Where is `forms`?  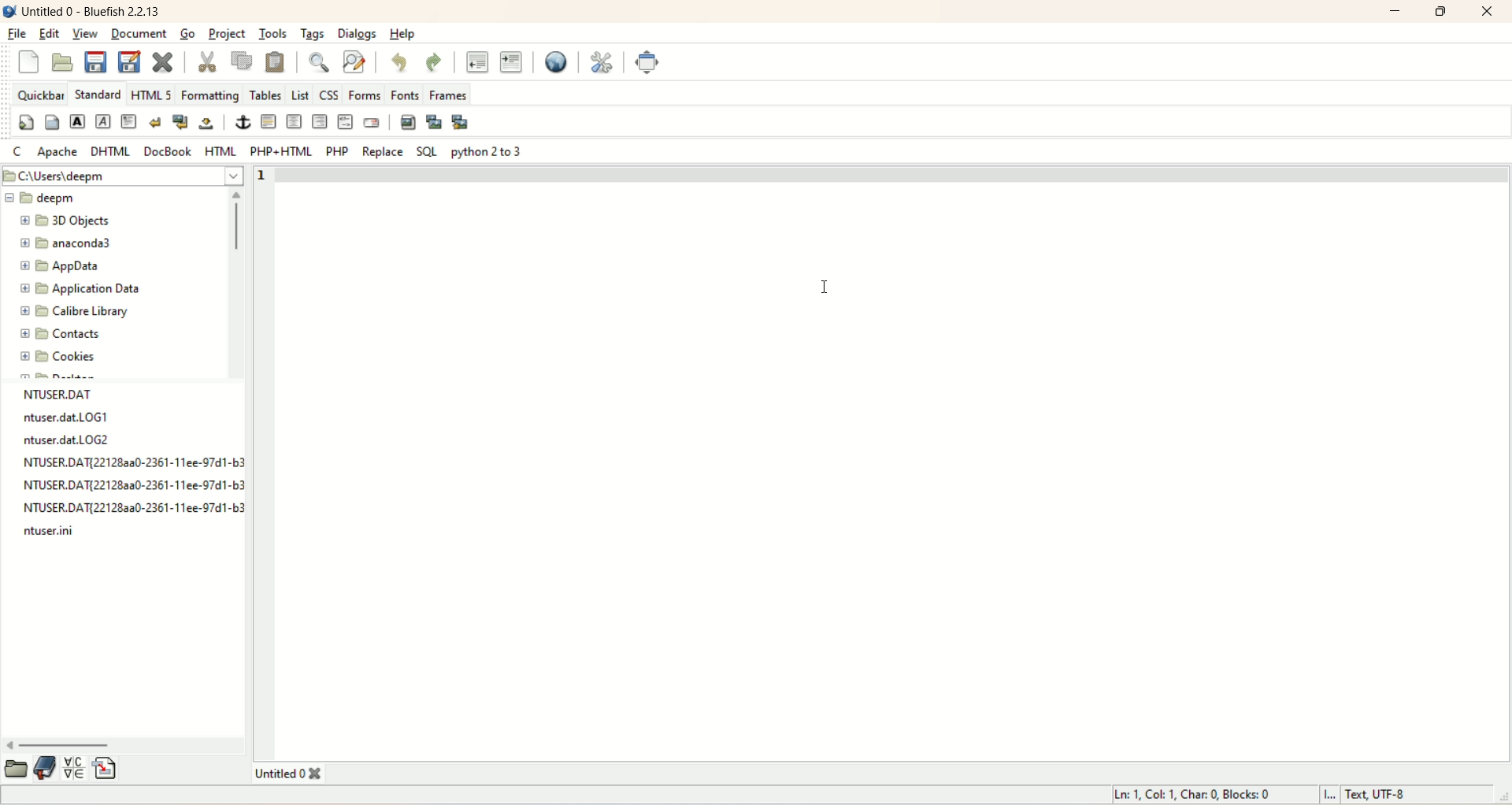 forms is located at coordinates (364, 94).